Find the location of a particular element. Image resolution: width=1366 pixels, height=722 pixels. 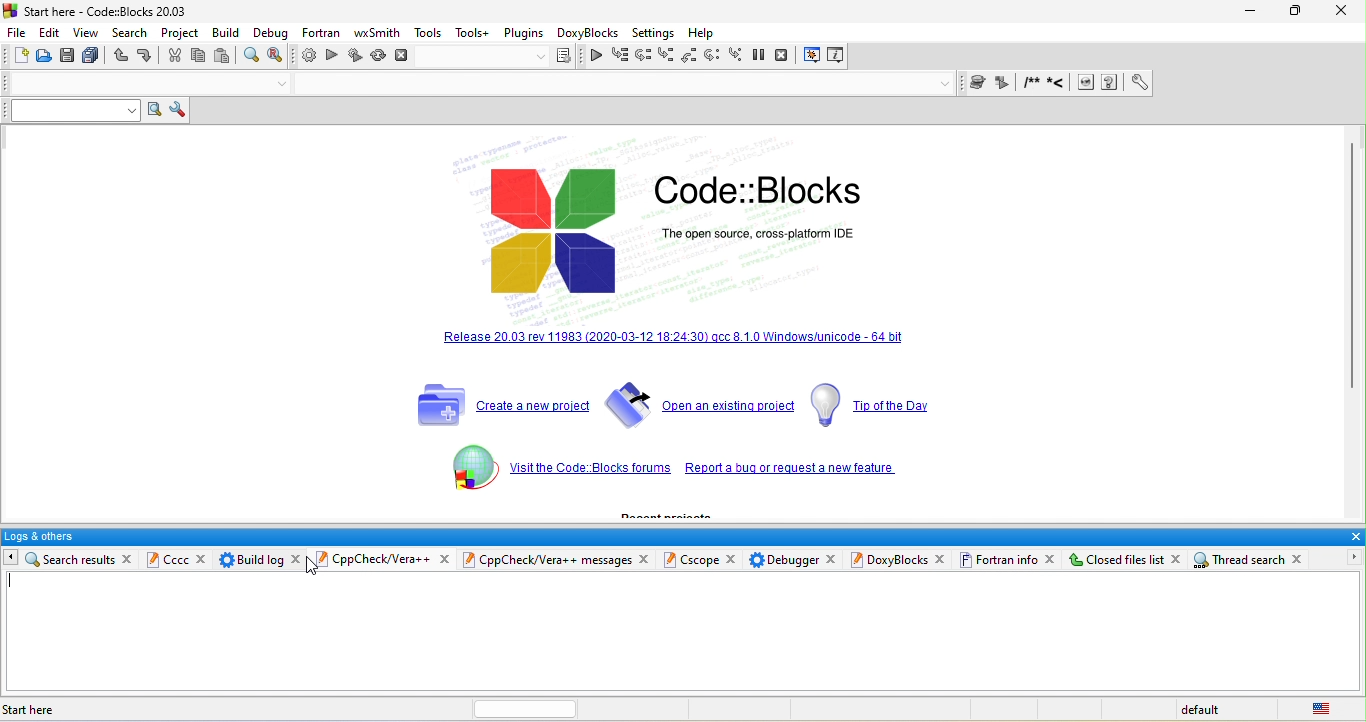

debug is located at coordinates (271, 34).